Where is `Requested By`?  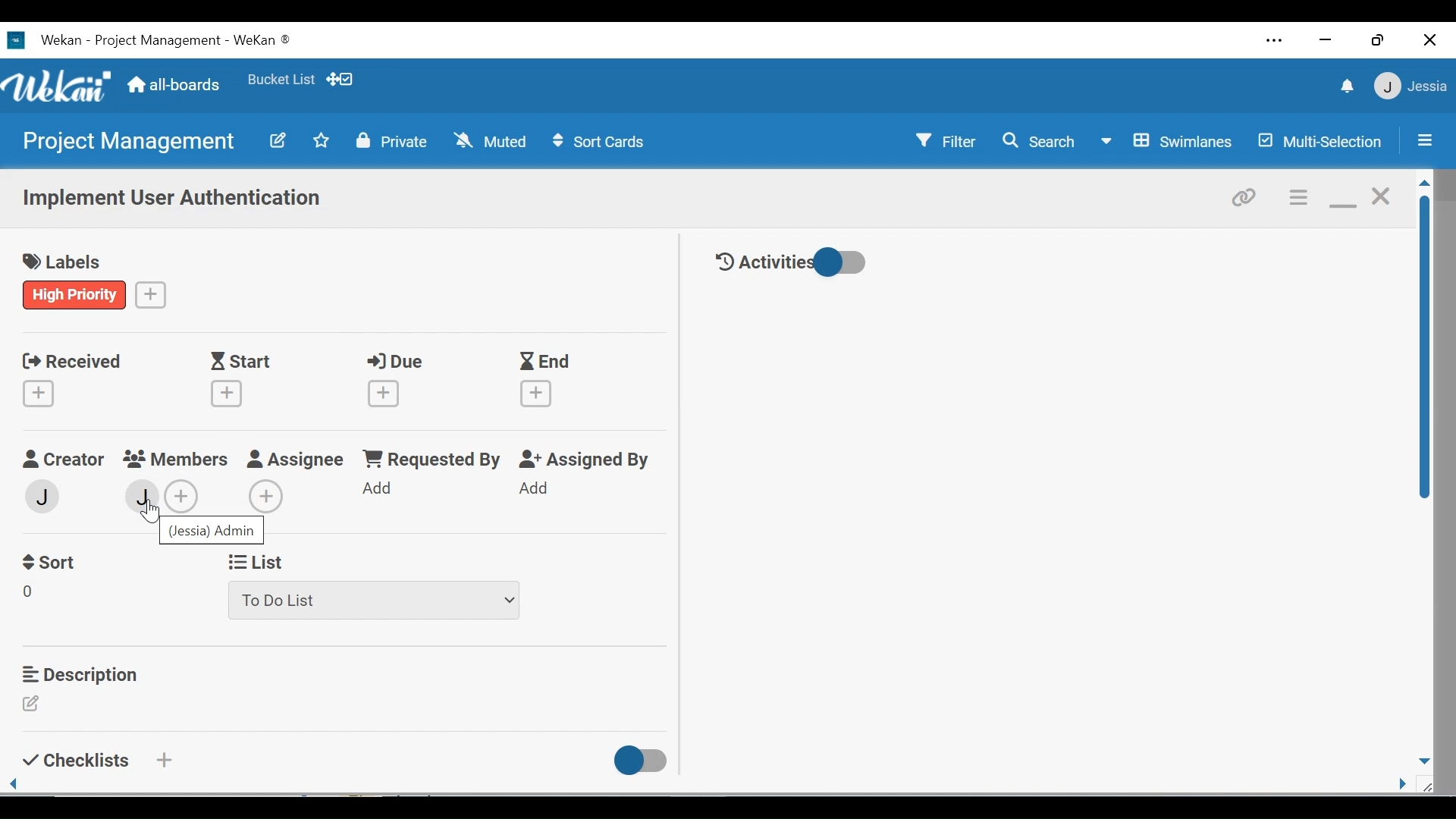
Requested By is located at coordinates (433, 459).